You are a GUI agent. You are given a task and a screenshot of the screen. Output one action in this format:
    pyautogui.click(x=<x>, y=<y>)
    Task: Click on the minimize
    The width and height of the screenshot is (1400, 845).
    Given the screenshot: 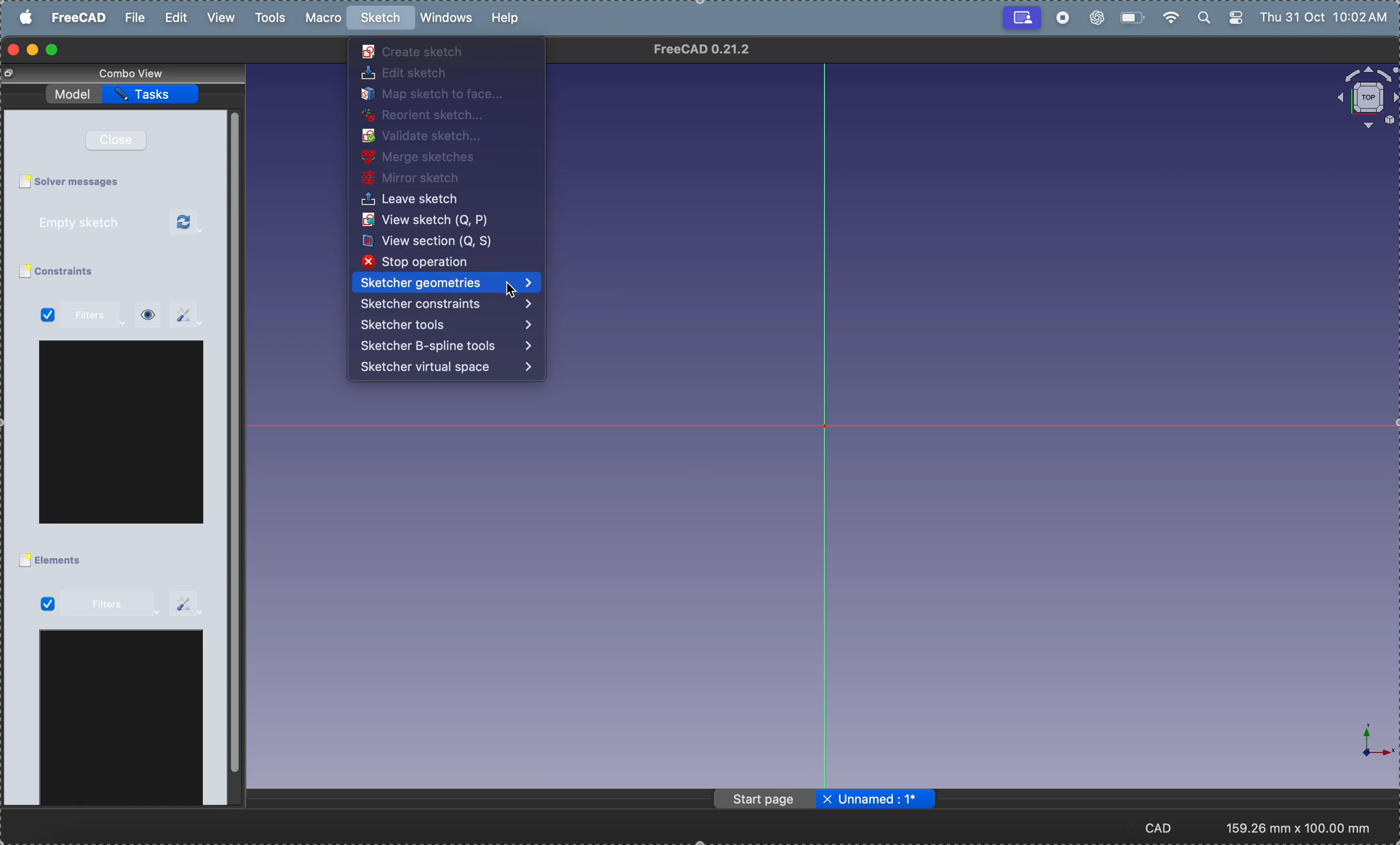 What is the action you would take?
    pyautogui.click(x=35, y=50)
    